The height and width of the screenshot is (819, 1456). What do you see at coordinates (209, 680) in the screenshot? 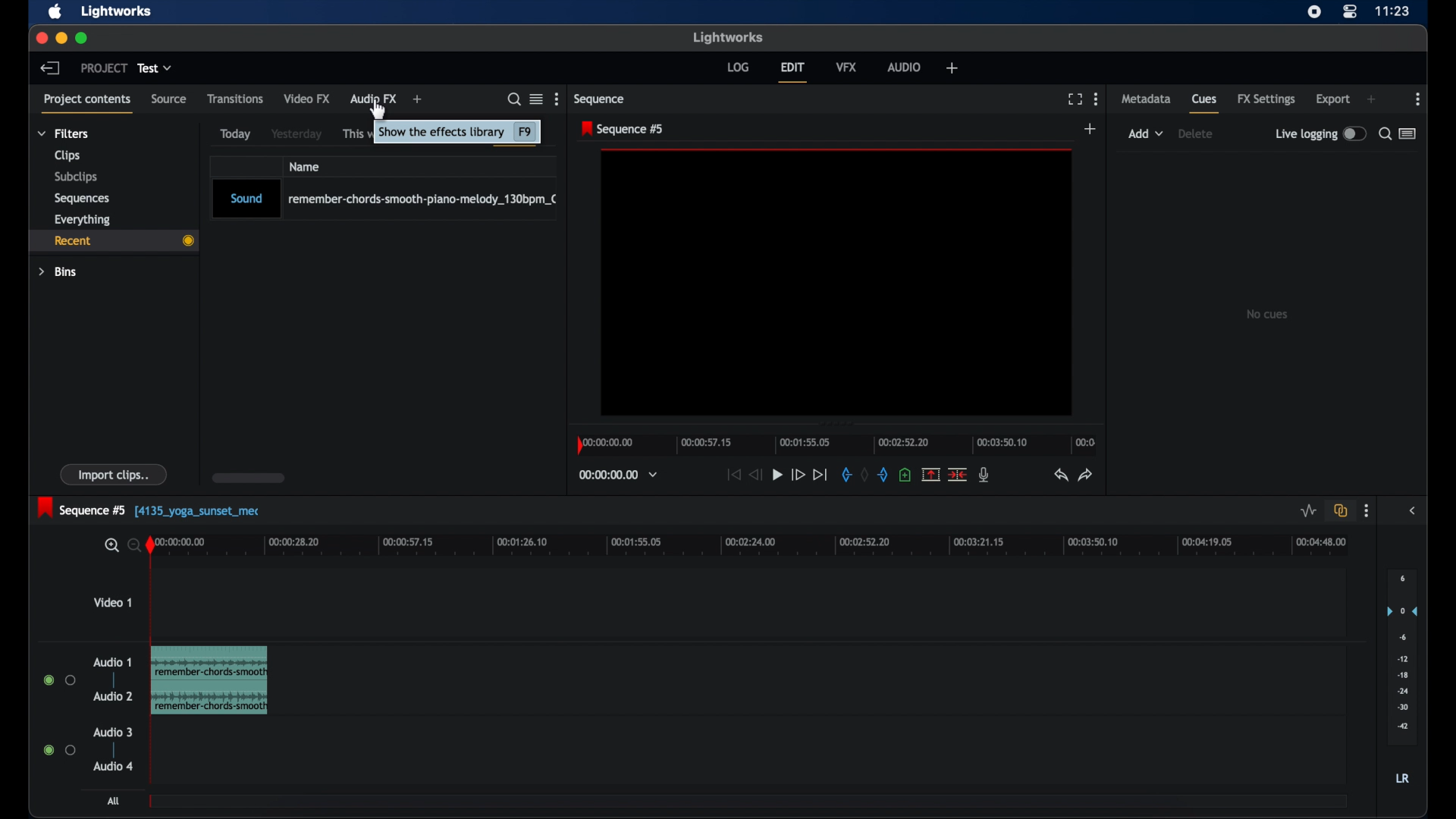
I see `video clip` at bounding box center [209, 680].